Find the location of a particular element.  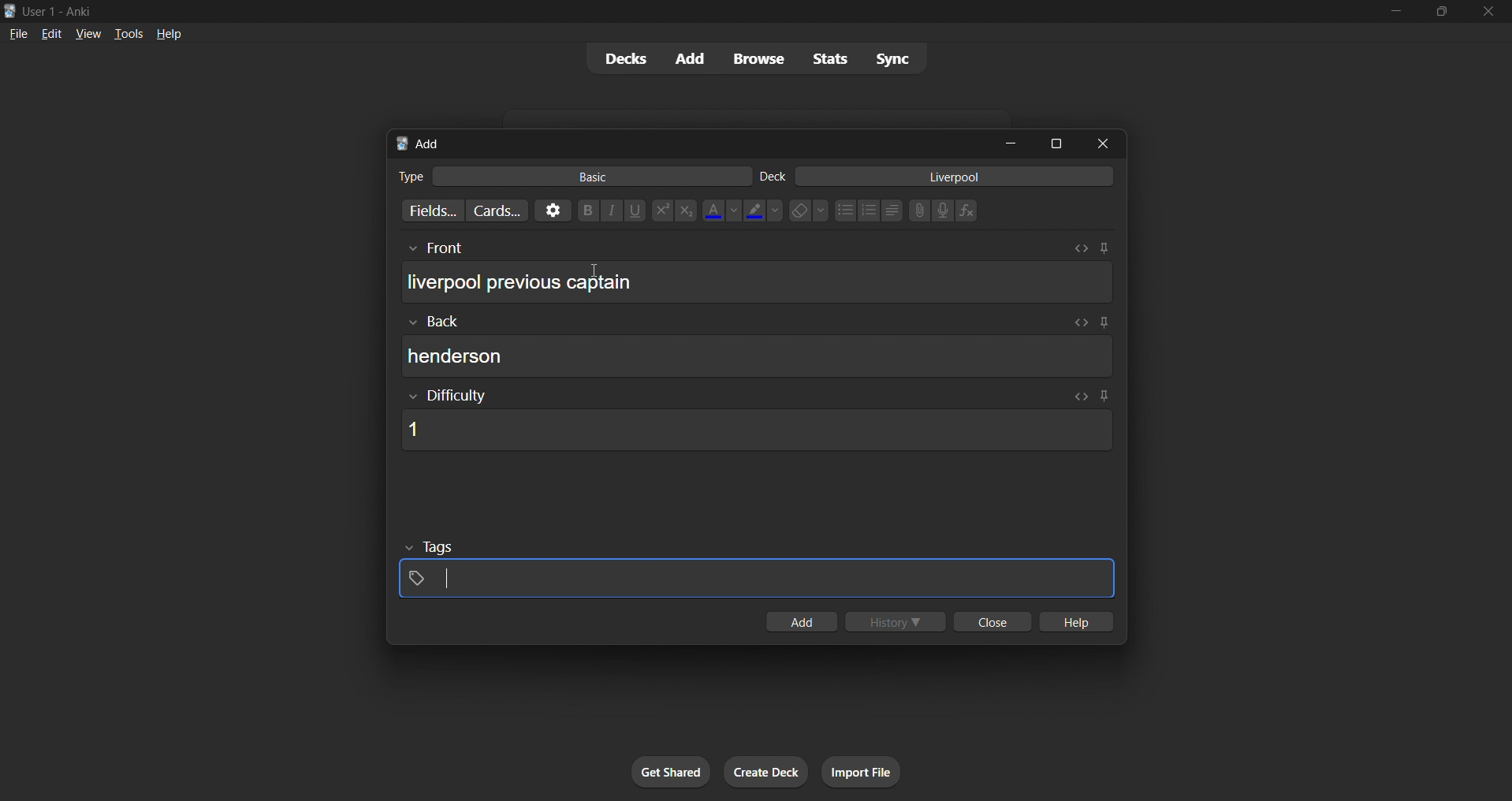

maximize is located at coordinates (1057, 142).